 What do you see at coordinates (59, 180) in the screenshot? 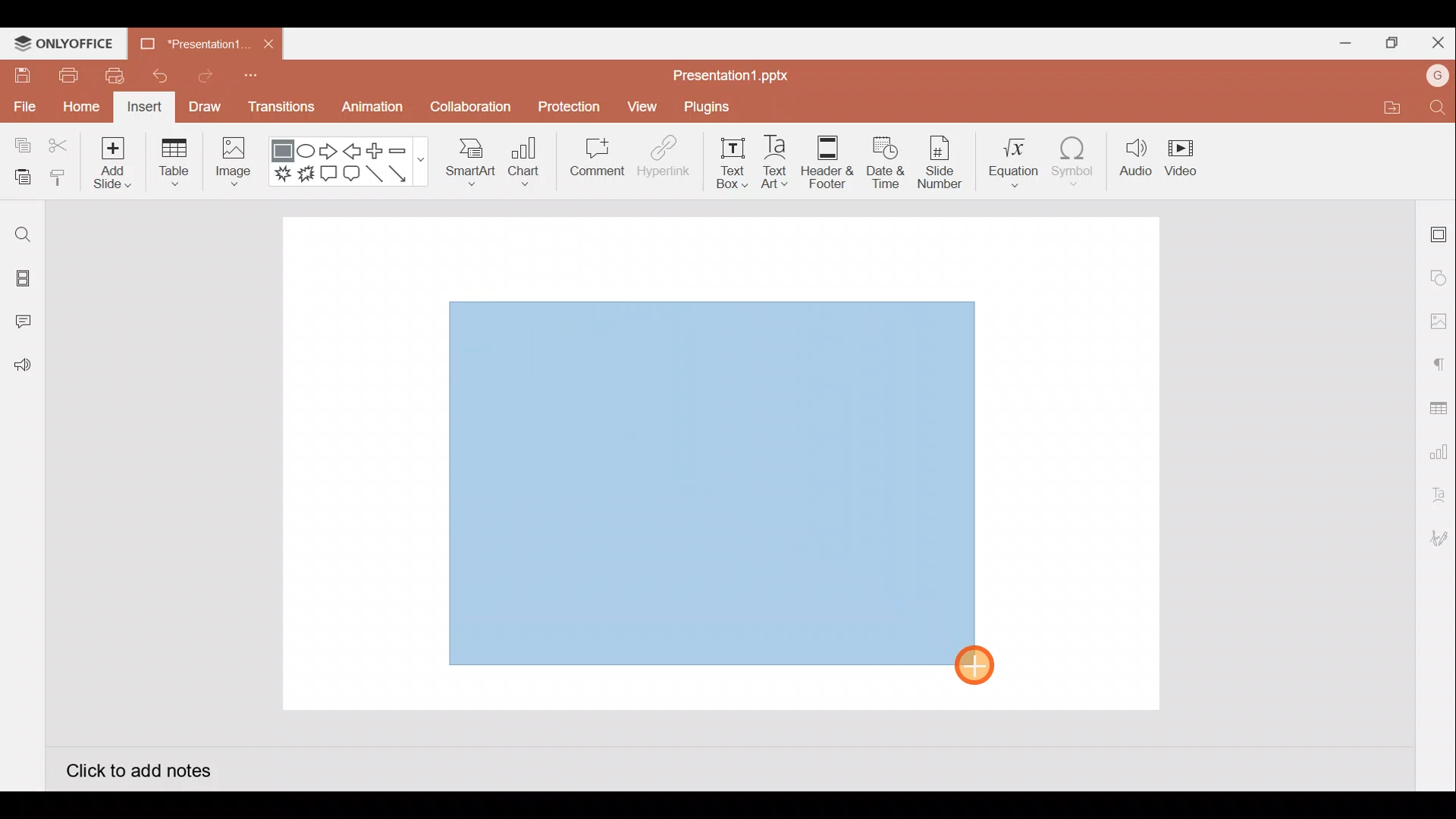
I see `Copy style` at bounding box center [59, 180].